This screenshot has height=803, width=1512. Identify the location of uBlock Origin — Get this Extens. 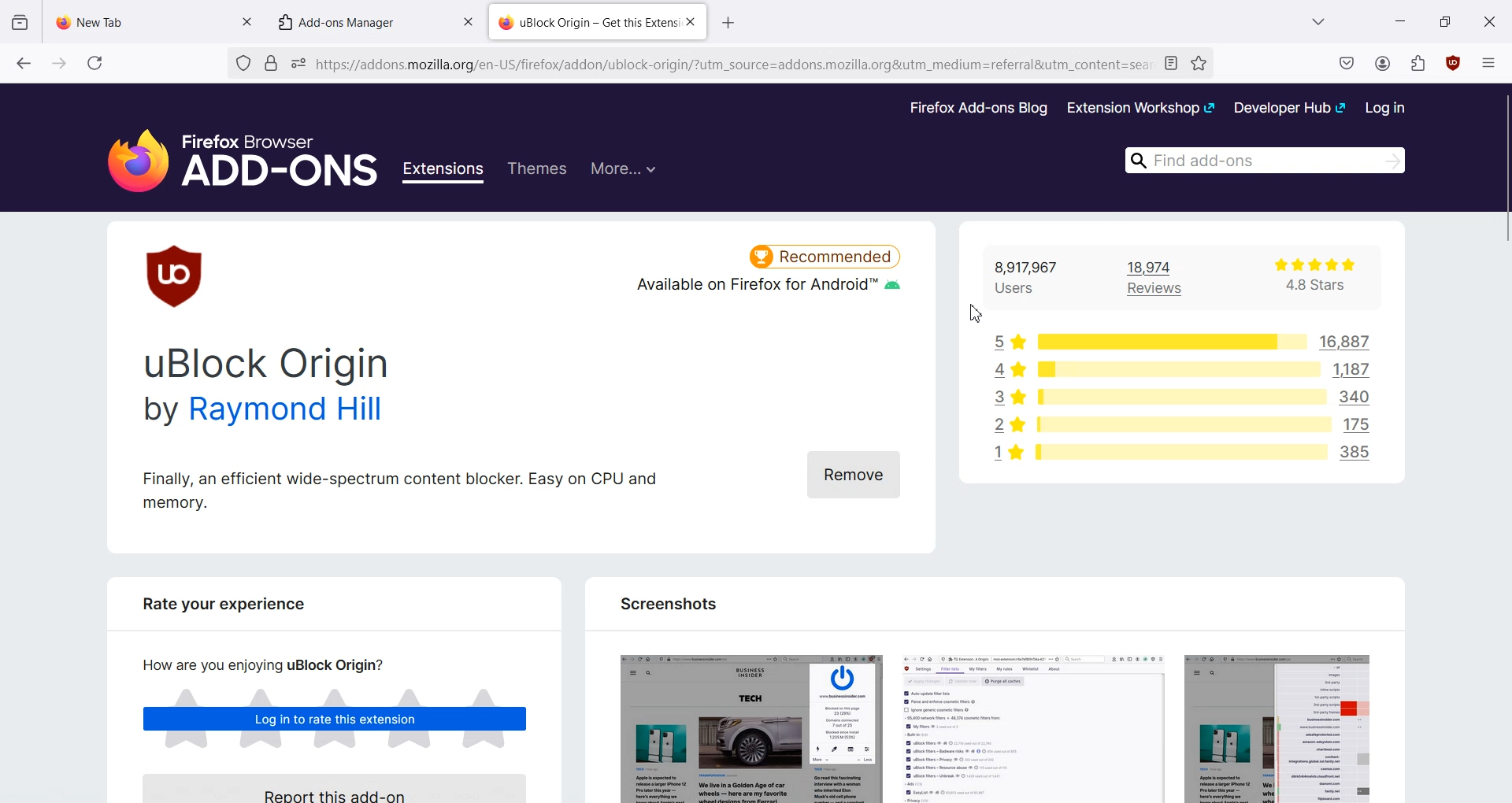
(587, 20).